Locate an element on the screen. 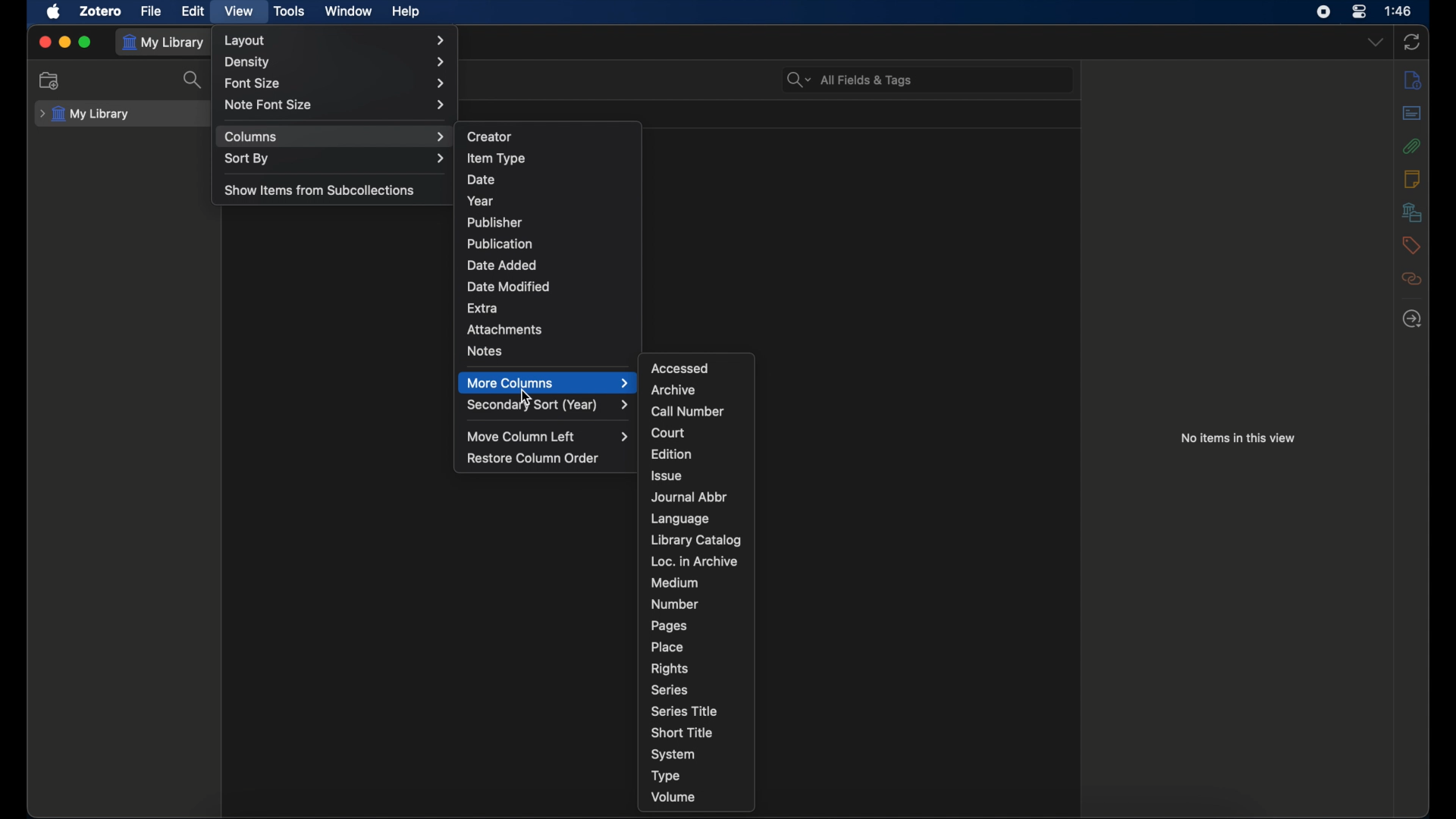  accessed is located at coordinates (679, 368).